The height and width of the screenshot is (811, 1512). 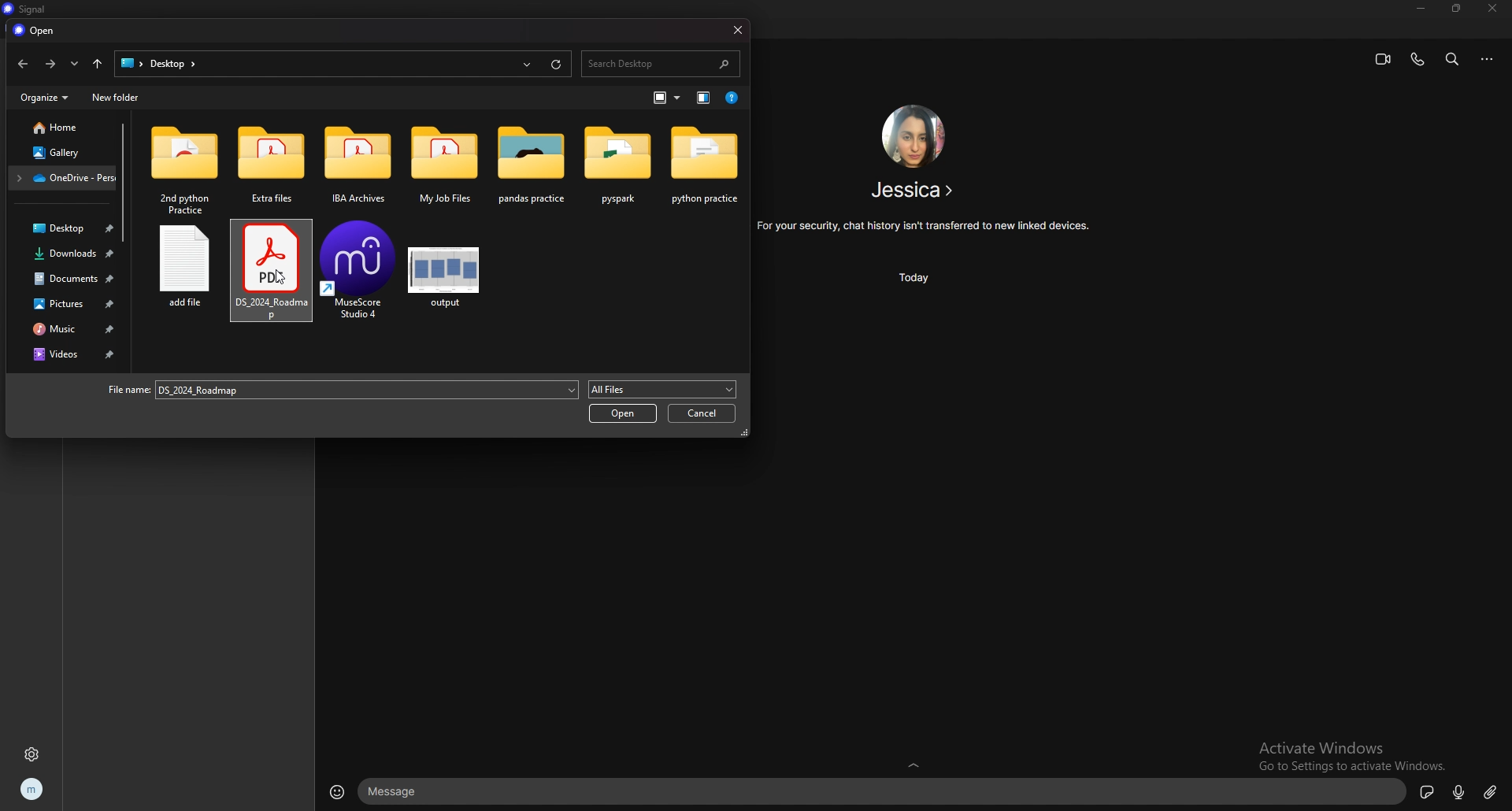 What do you see at coordinates (59, 127) in the screenshot?
I see `home` at bounding box center [59, 127].